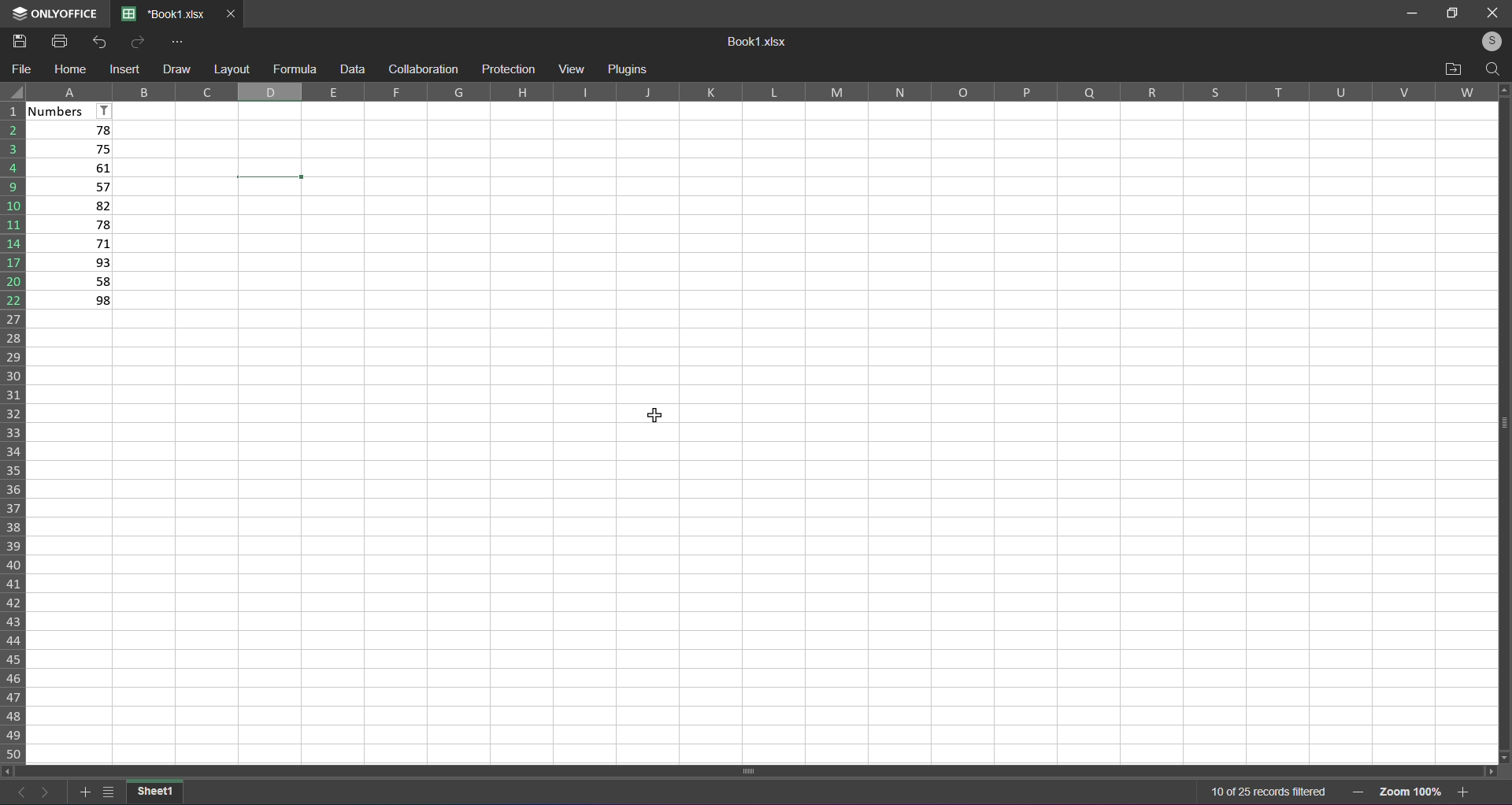  What do you see at coordinates (19, 40) in the screenshot?
I see `save` at bounding box center [19, 40].